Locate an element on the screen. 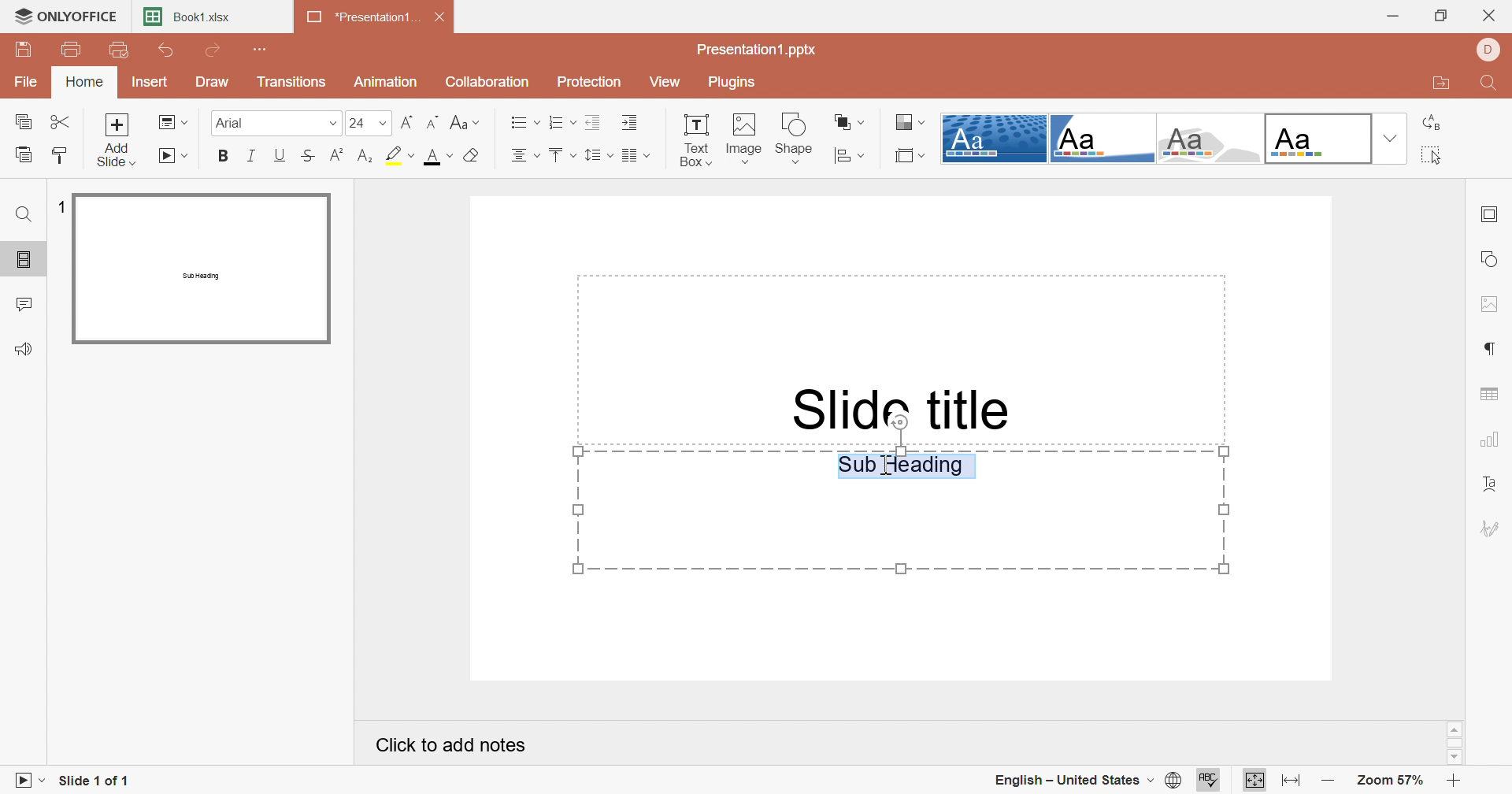 The image size is (1512, 794). Image settings is located at coordinates (1488, 305).